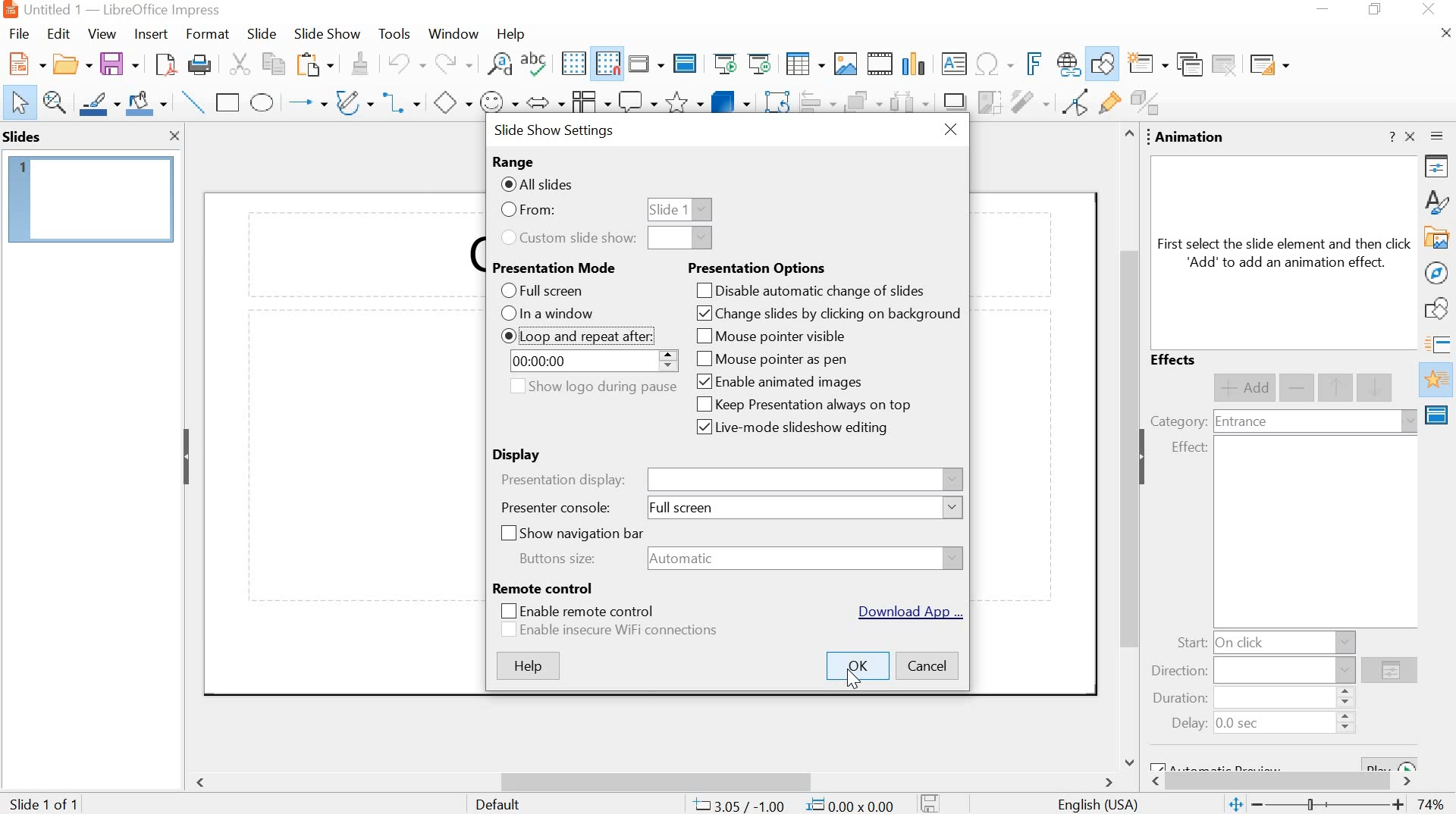 The width and height of the screenshot is (1456, 814). What do you see at coordinates (730, 102) in the screenshot?
I see `3d objects` at bounding box center [730, 102].